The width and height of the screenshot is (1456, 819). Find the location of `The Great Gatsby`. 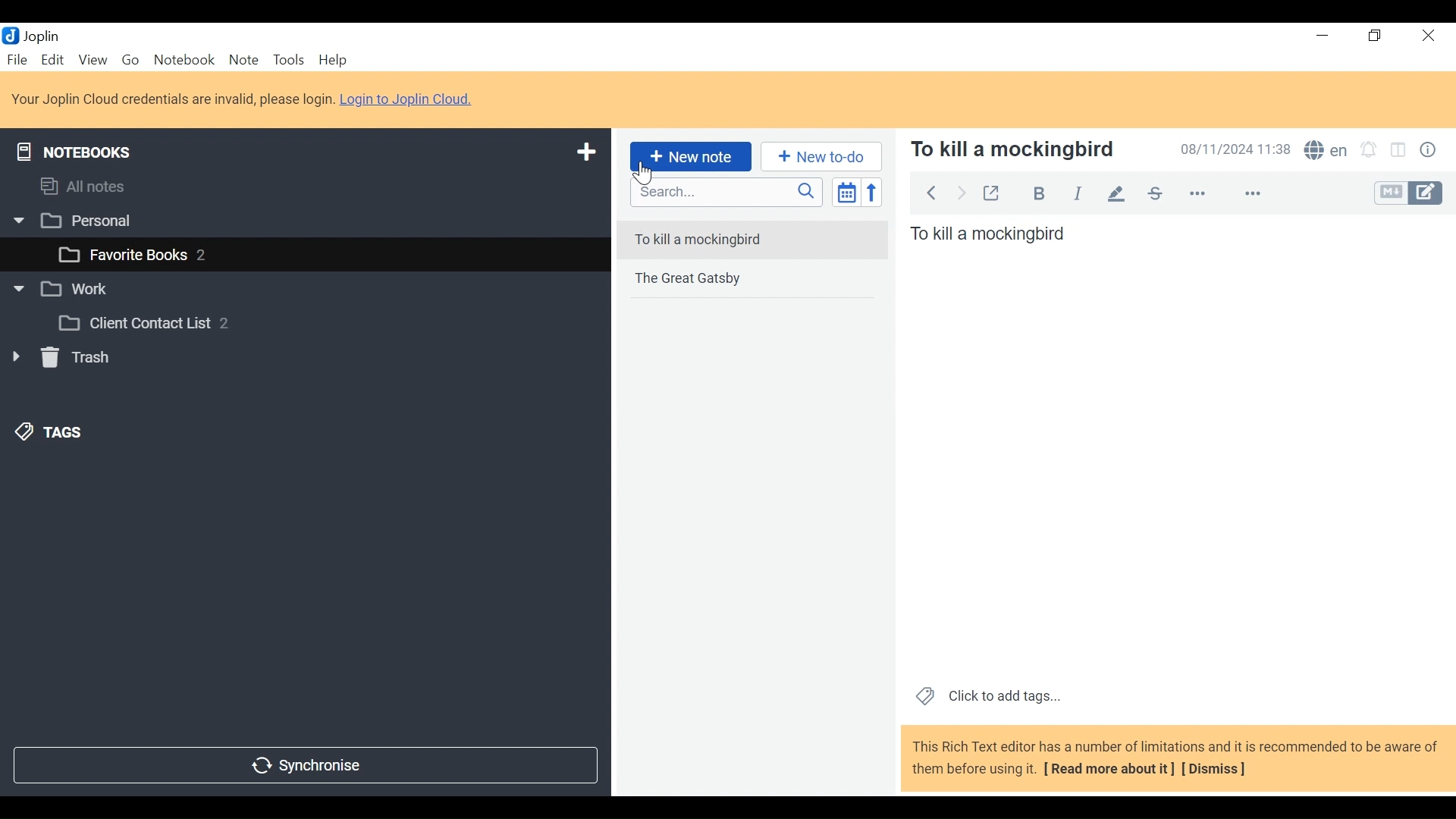

The Great Gatsby is located at coordinates (755, 280).